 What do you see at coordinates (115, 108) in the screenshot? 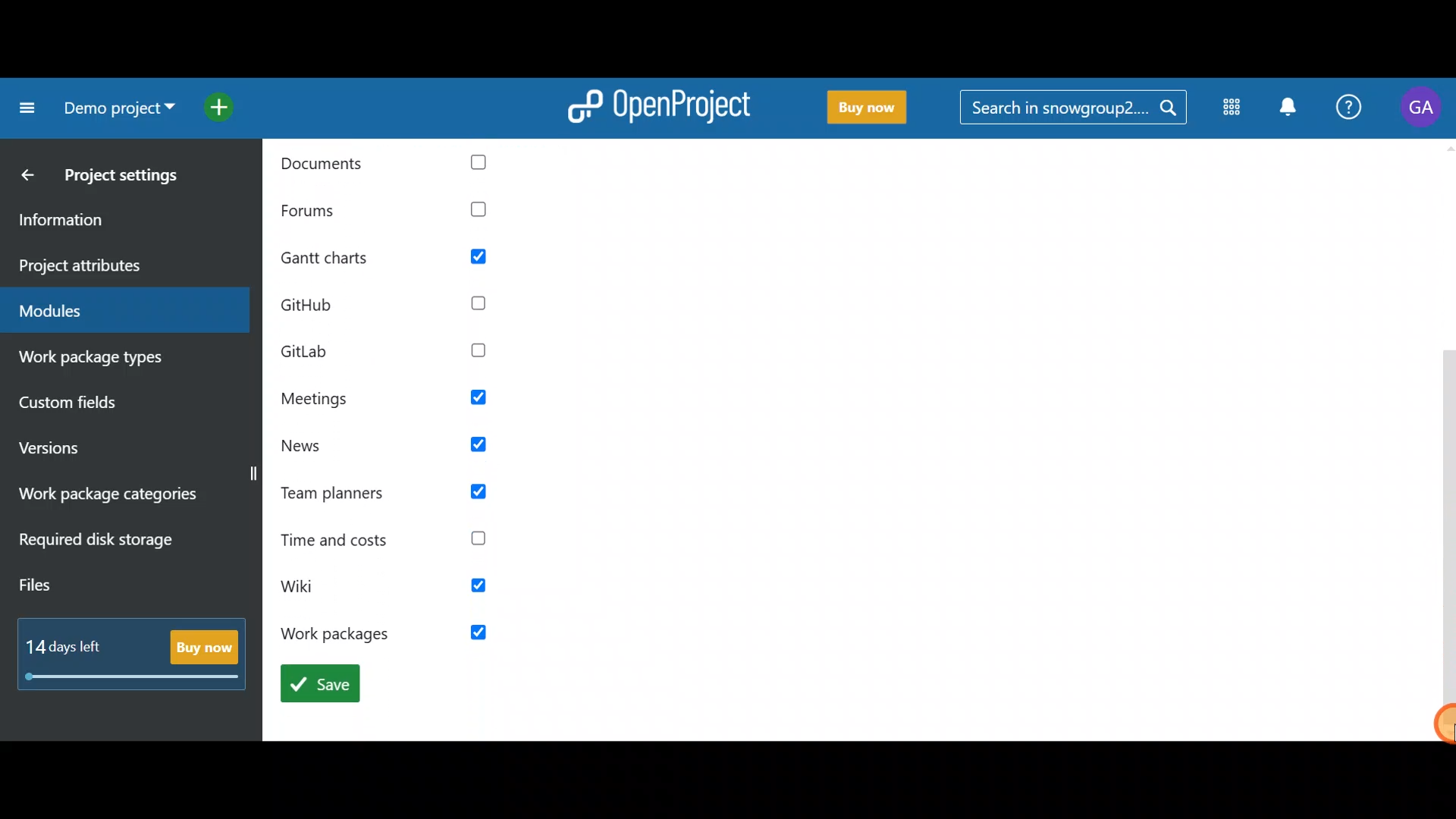
I see `Project name` at bounding box center [115, 108].